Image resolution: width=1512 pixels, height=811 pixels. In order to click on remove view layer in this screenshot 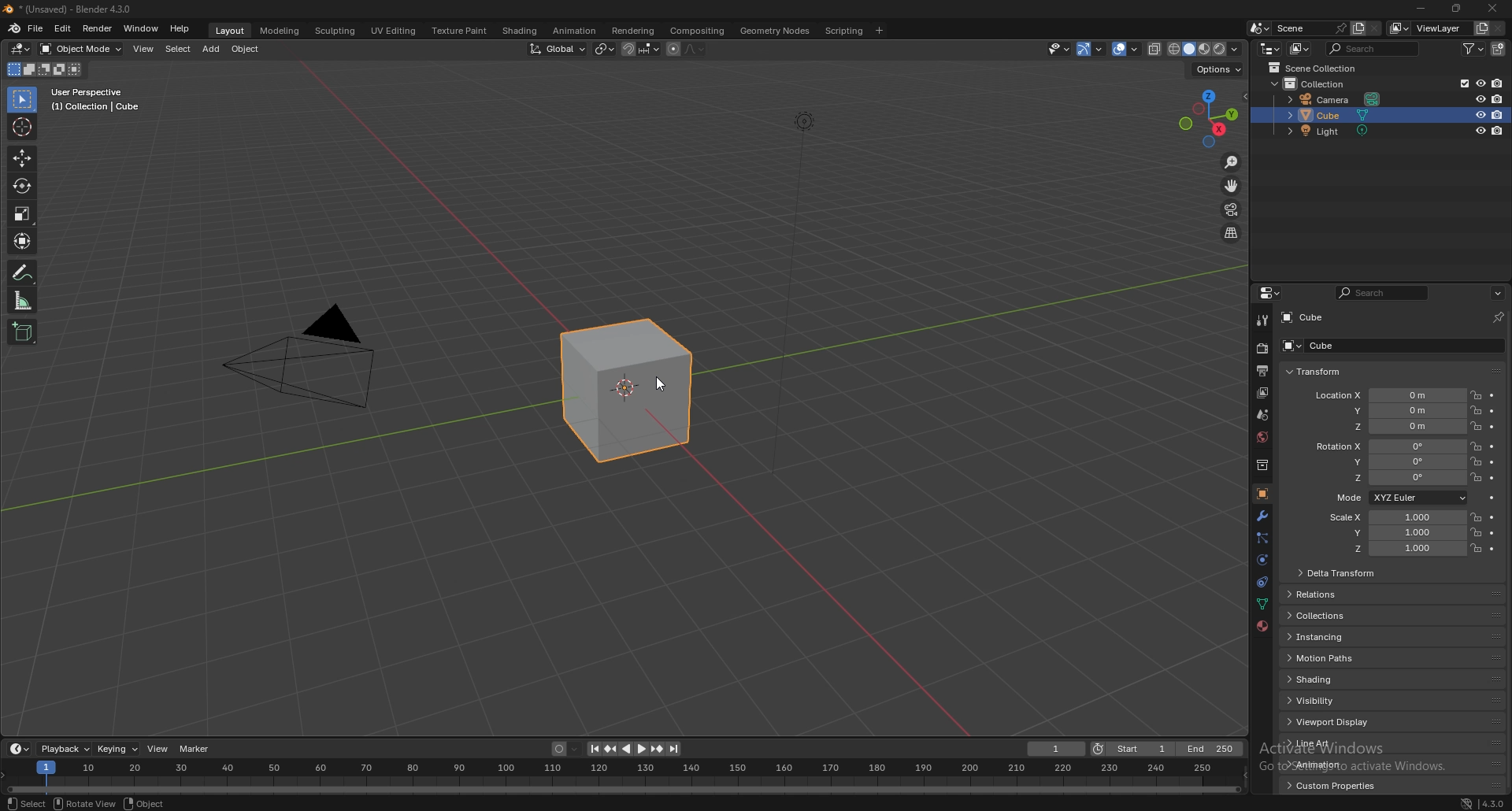, I will do `click(1499, 29)`.